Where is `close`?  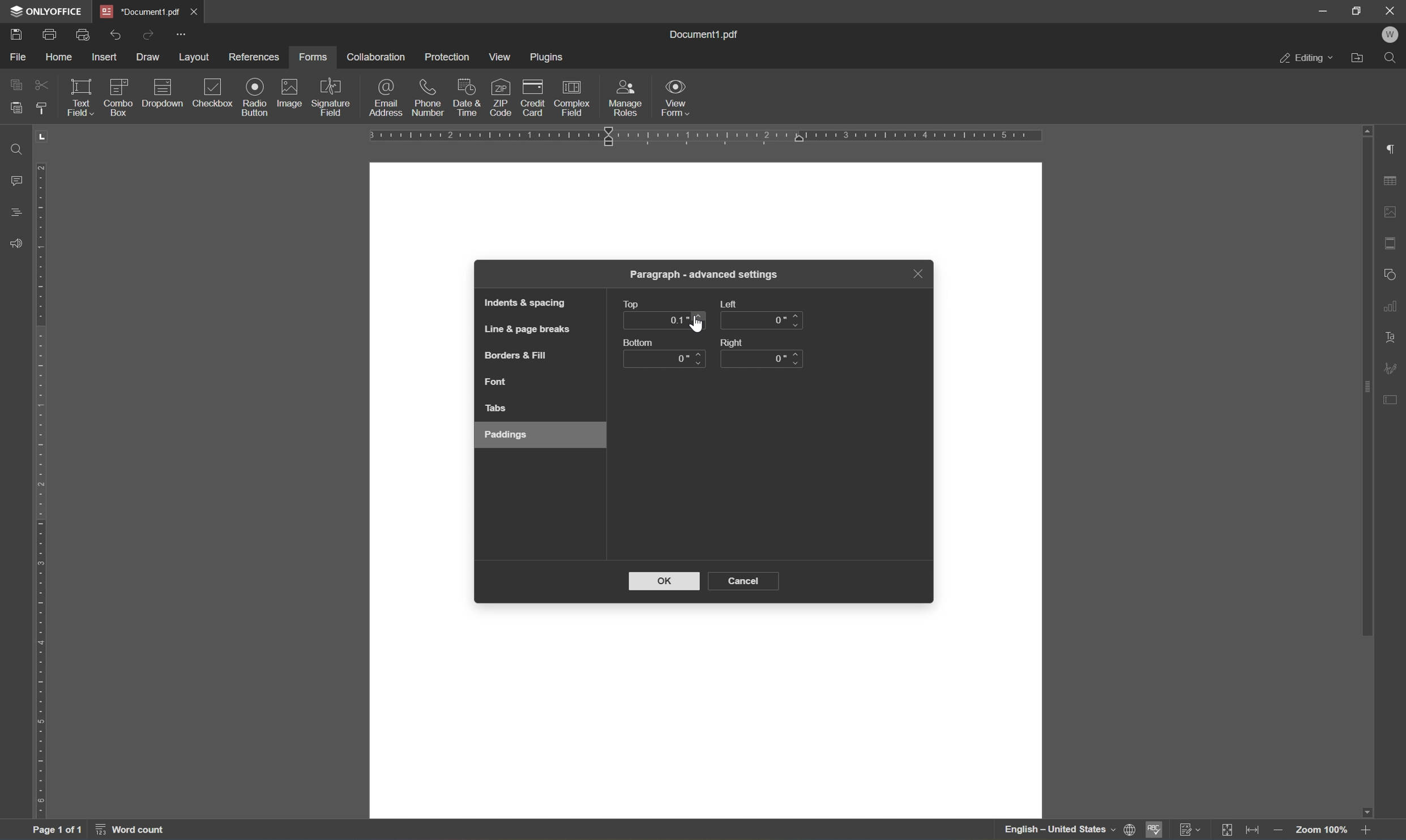
close is located at coordinates (1391, 10).